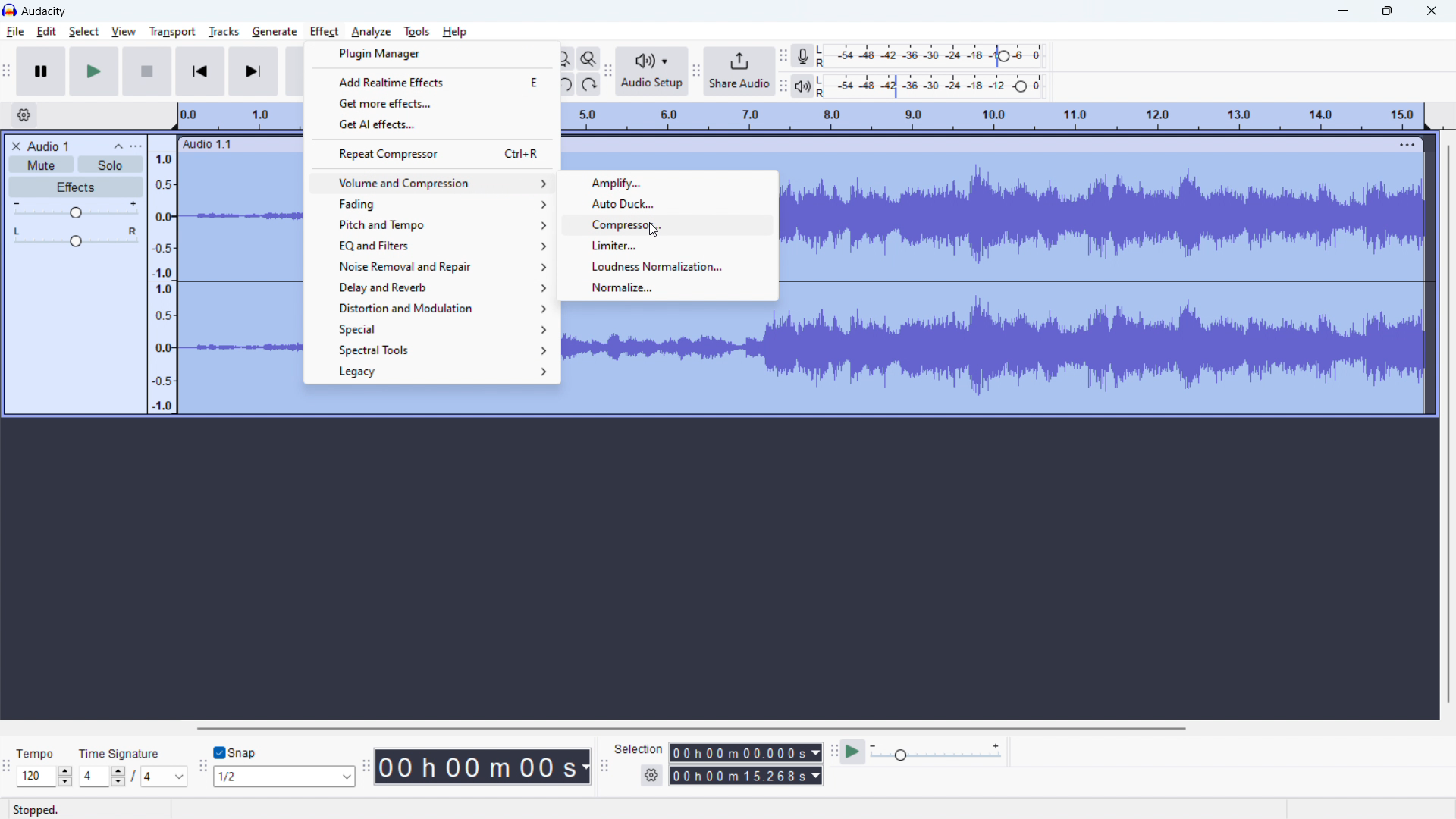 The image size is (1456, 819). What do you see at coordinates (49, 10) in the screenshot?
I see `Audacity (title)` at bounding box center [49, 10].